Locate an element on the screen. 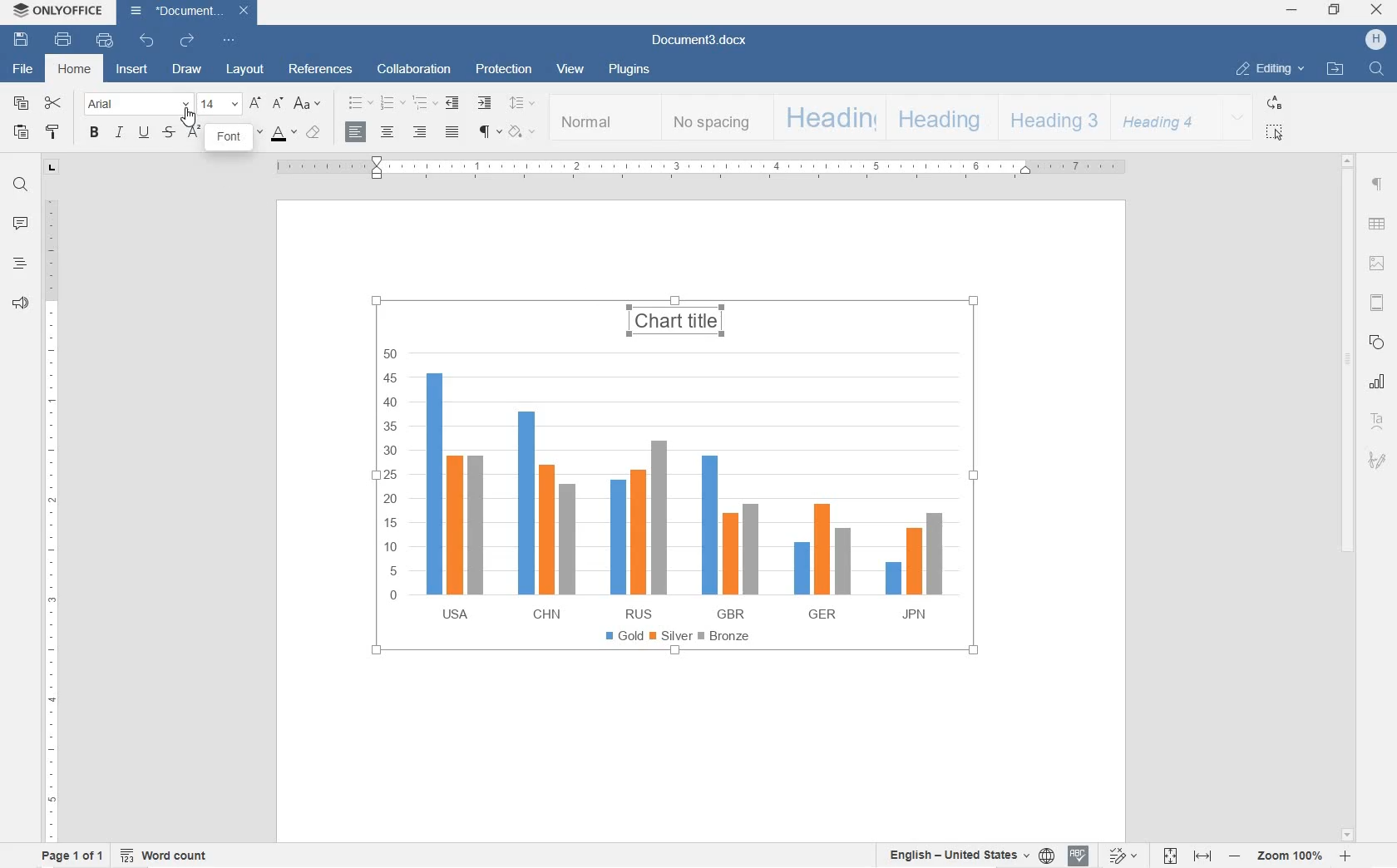 The width and height of the screenshot is (1397, 868). FIT TO PAGE OR WIDTH is located at coordinates (1186, 855).